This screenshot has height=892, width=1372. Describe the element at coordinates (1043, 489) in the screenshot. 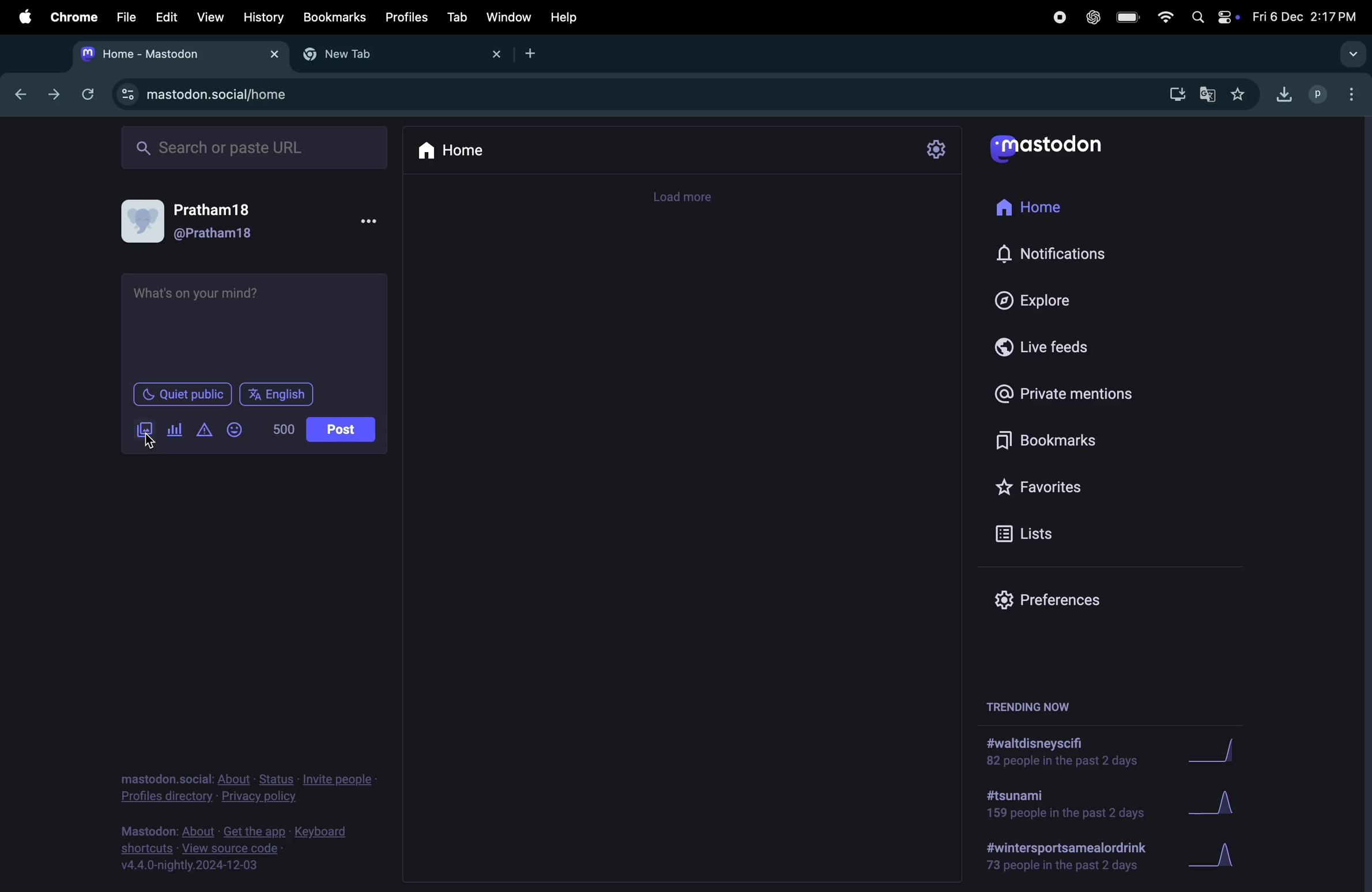

I see `favourites` at that location.